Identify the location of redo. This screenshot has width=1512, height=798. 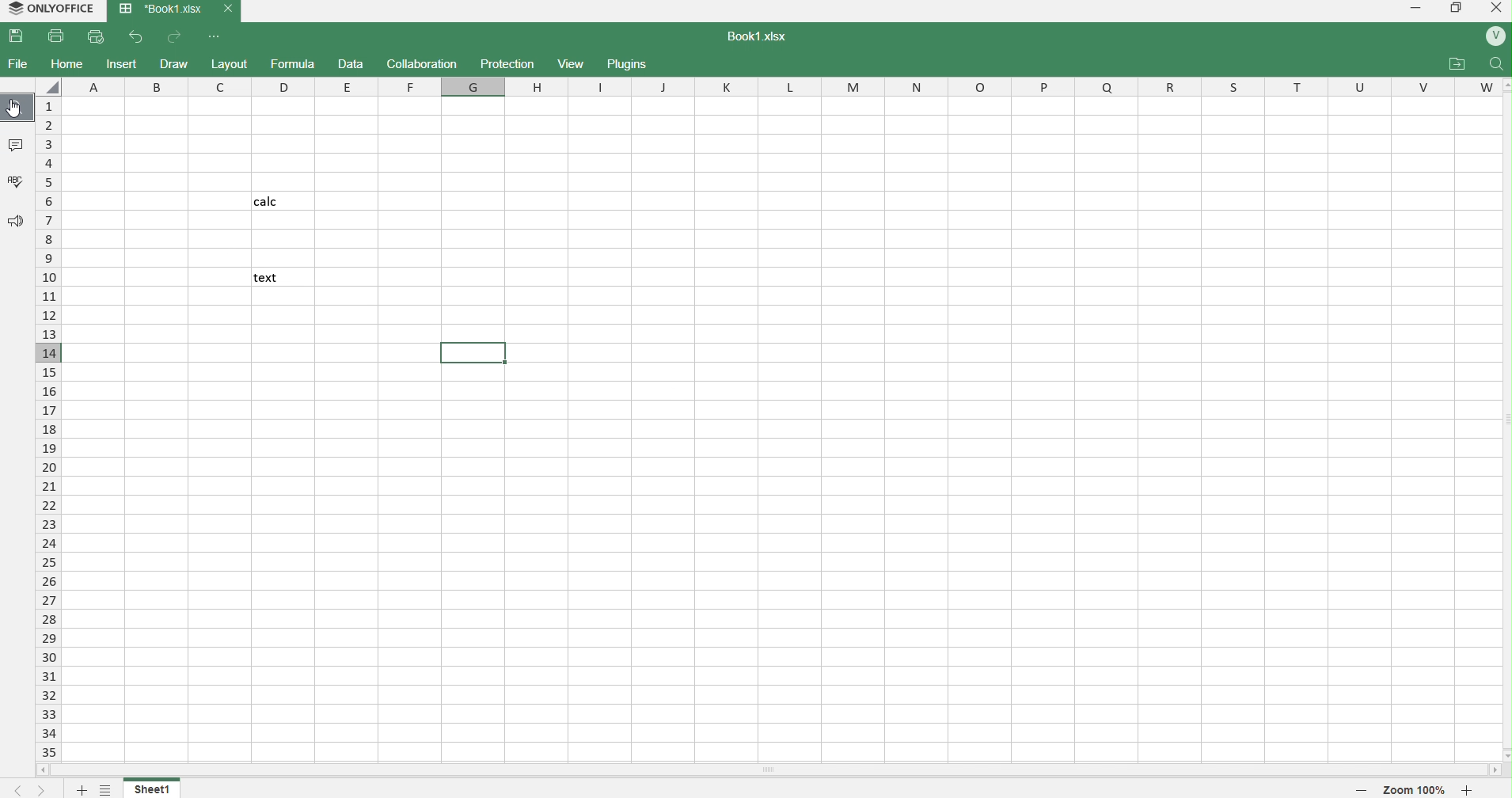
(177, 38).